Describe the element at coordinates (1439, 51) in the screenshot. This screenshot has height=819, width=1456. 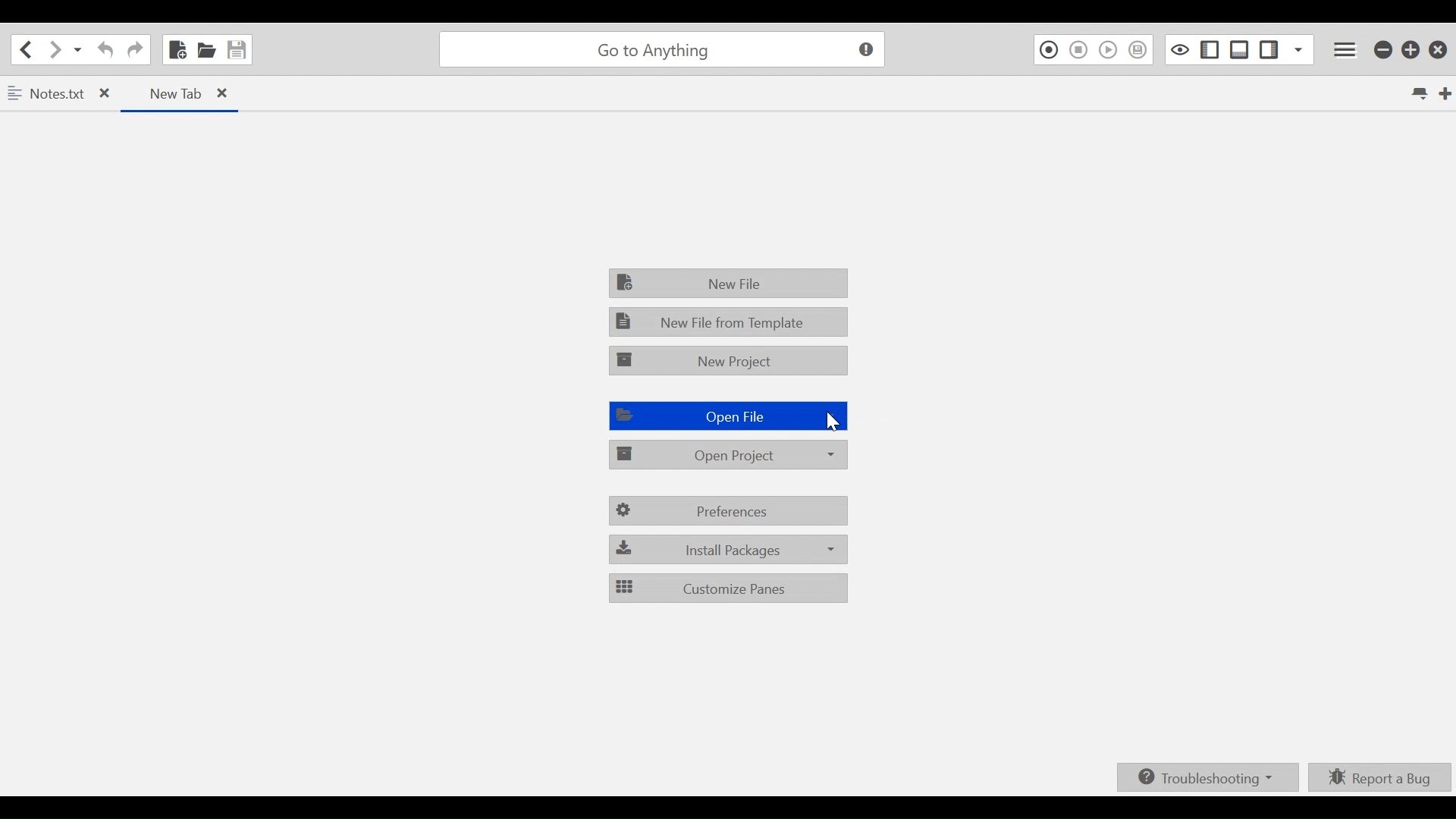
I see `Close` at that location.